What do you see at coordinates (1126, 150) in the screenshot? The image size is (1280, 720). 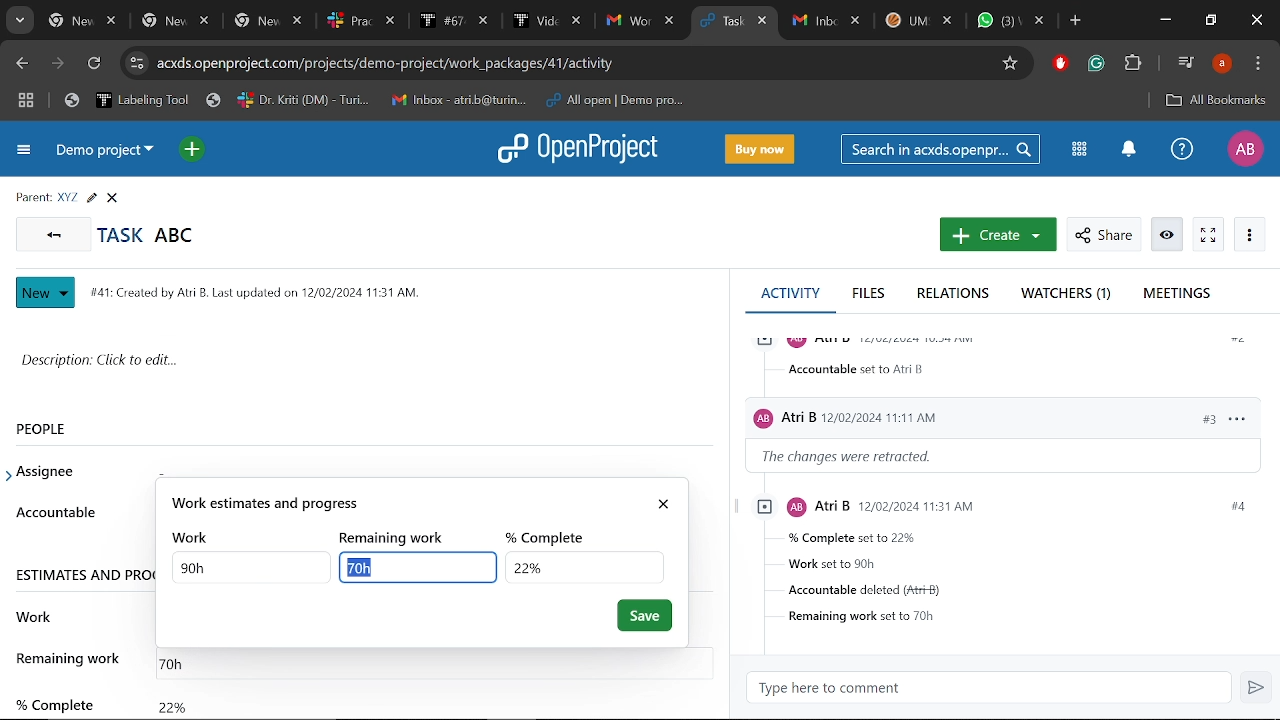 I see `Notification center` at bounding box center [1126, 150].